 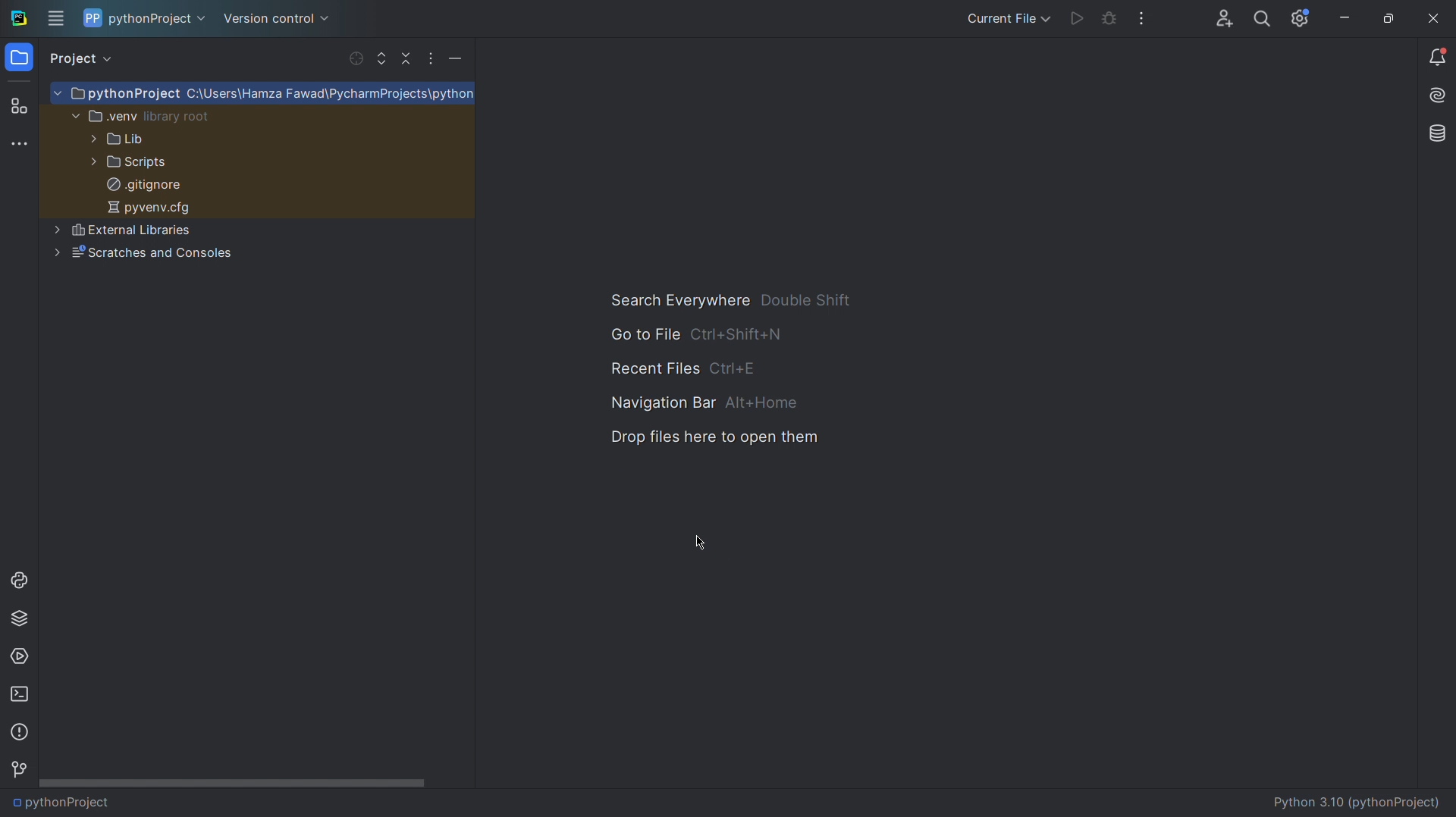 I want to click on more, so click(x=1142, y=21).